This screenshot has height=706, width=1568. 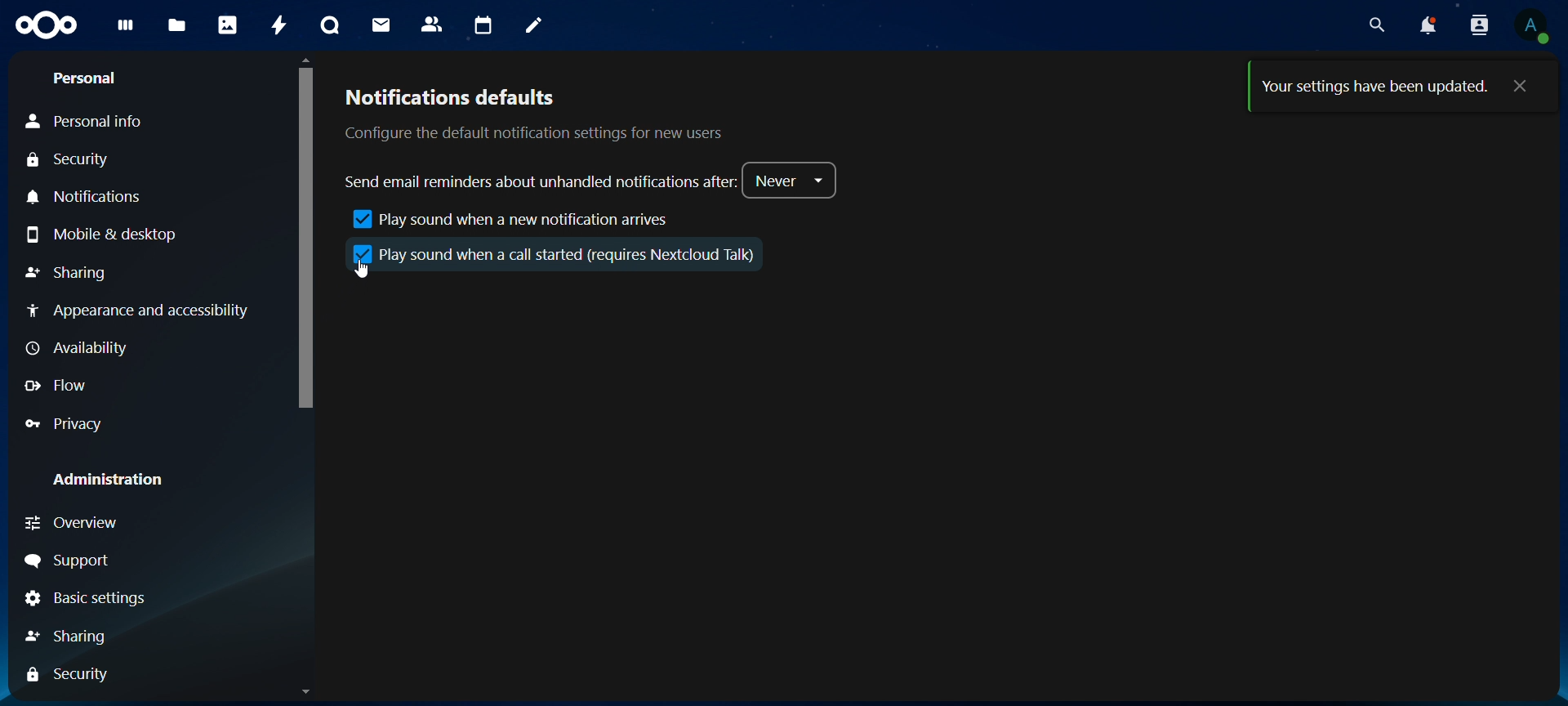 What do you see at coordinates (56, 387) in the screenshot?
I see `Flow` at bounding box center [56, 387].